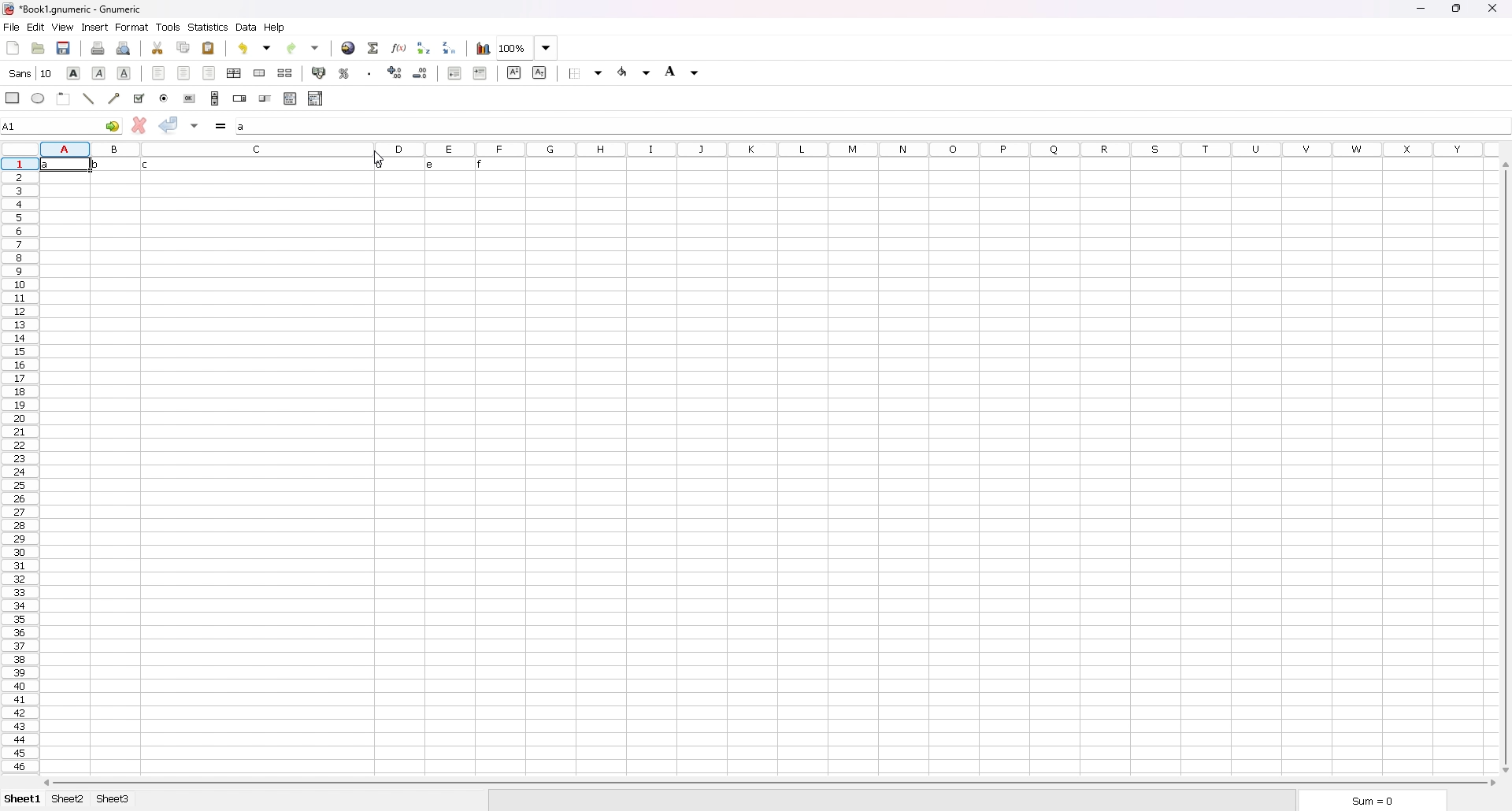 This screenshot has height=811, width=1512. I want to click on decrease decimals, so click(421, 72).